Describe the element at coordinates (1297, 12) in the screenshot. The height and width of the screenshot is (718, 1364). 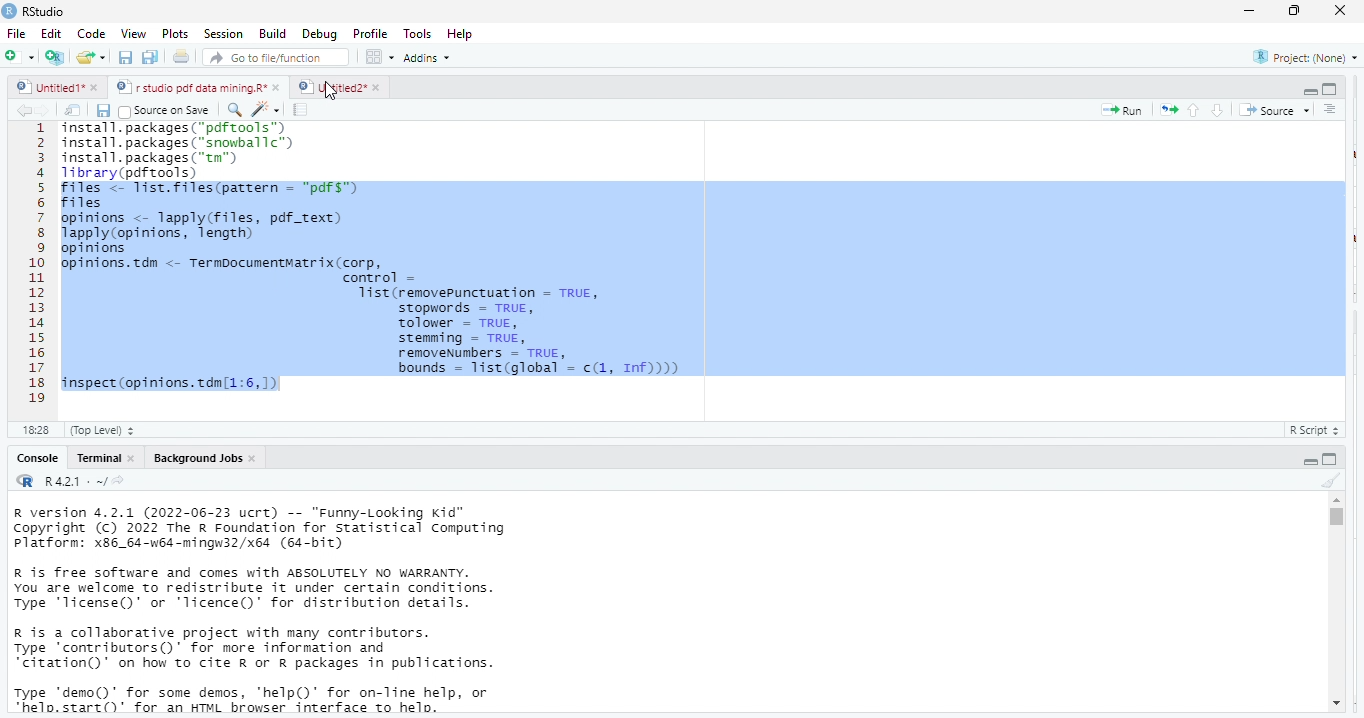
I see `maximize` at that location.